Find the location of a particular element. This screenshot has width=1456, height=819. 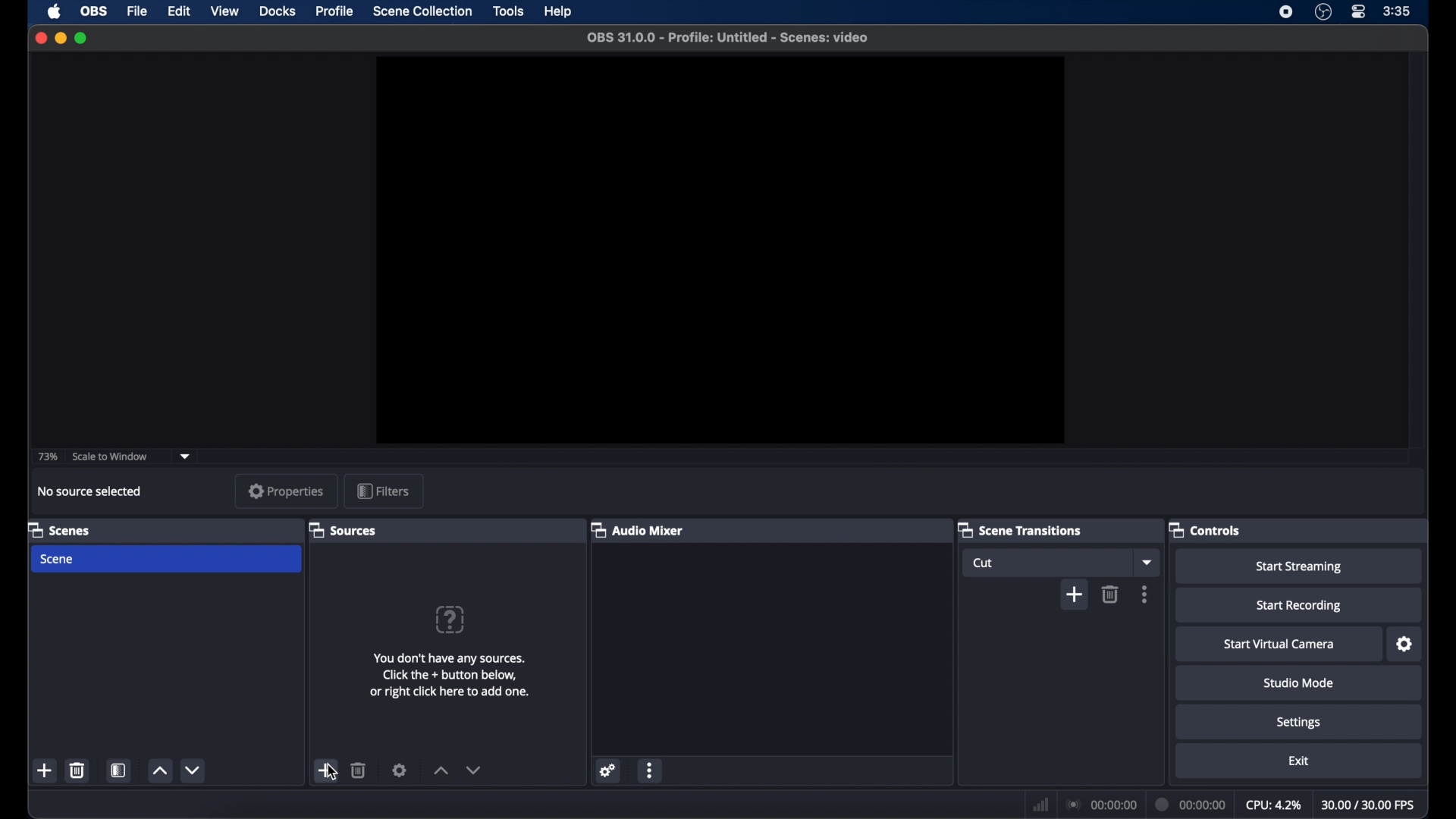

minimize is located at coordinates (60, 39).